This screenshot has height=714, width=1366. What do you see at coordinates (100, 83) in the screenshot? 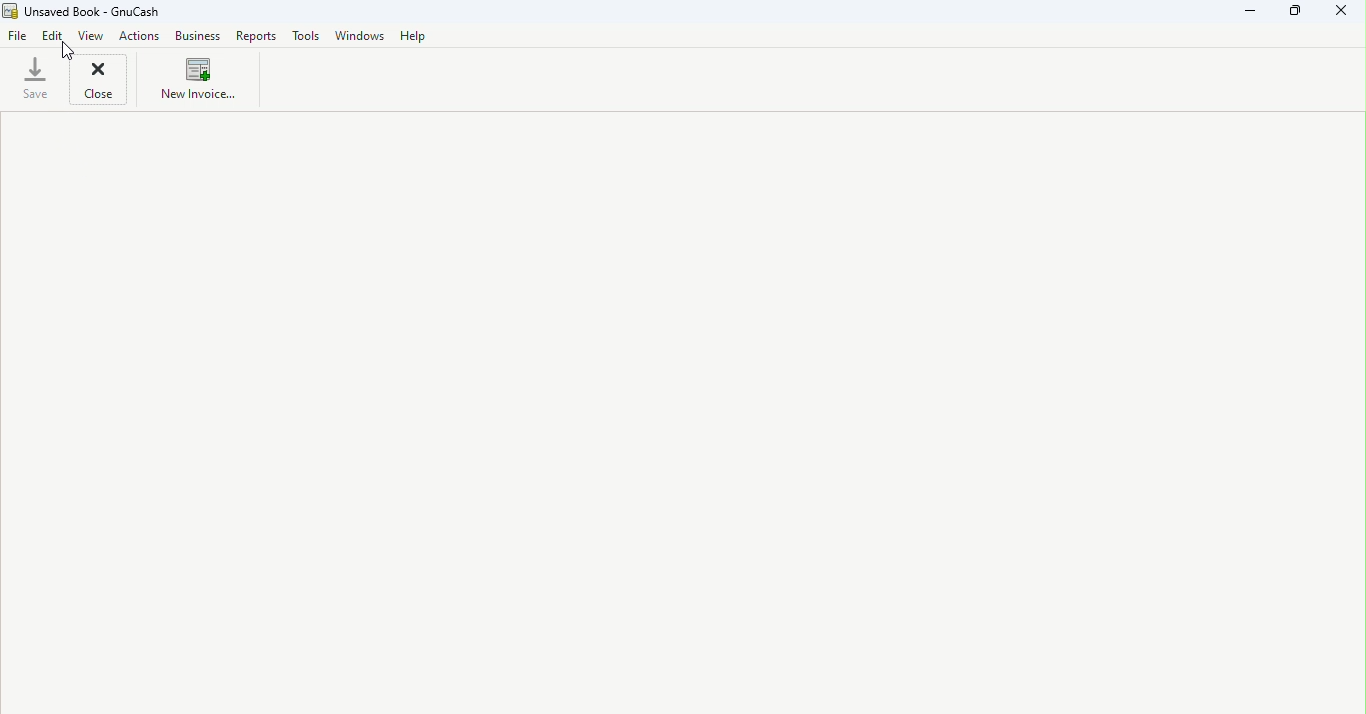
I see `Close` at bounding box center [100, 83].